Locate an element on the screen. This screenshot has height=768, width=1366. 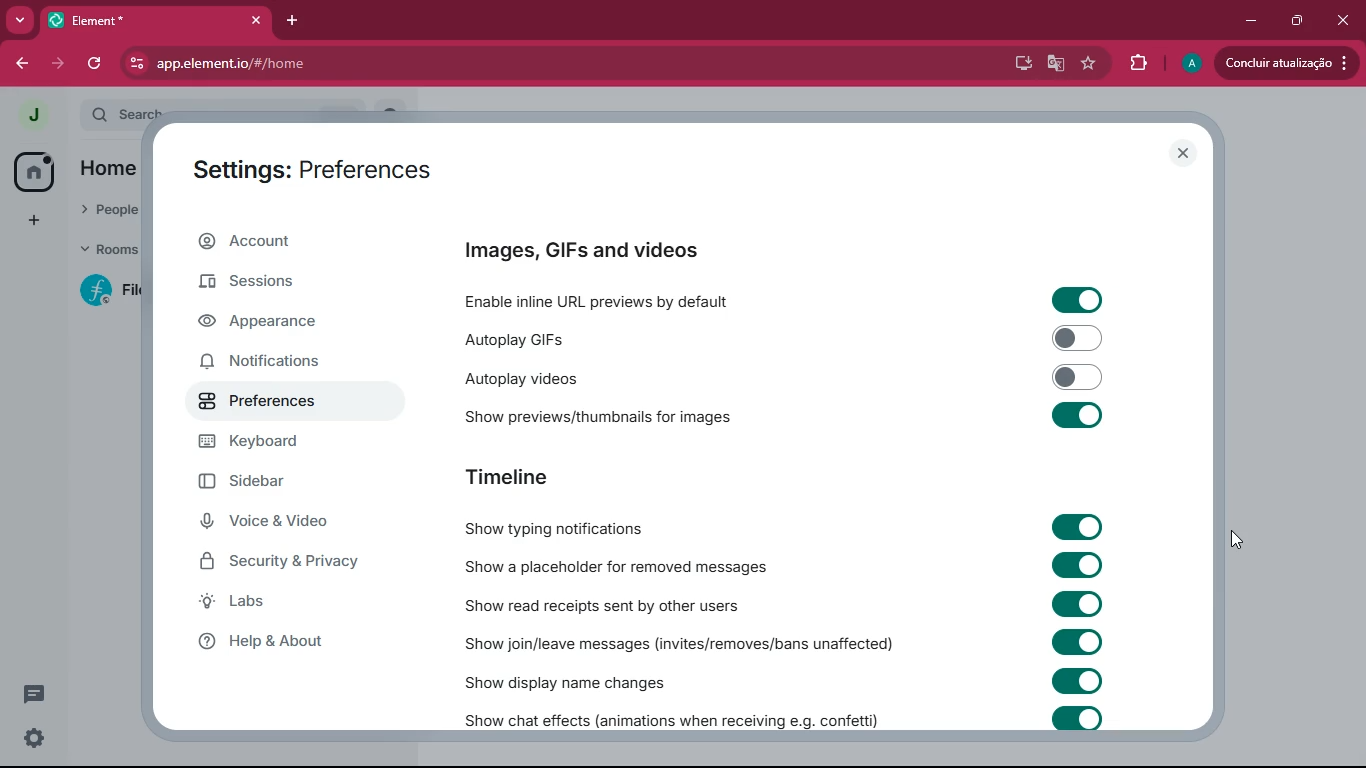
extensions is located at coordinates (1134, 64).